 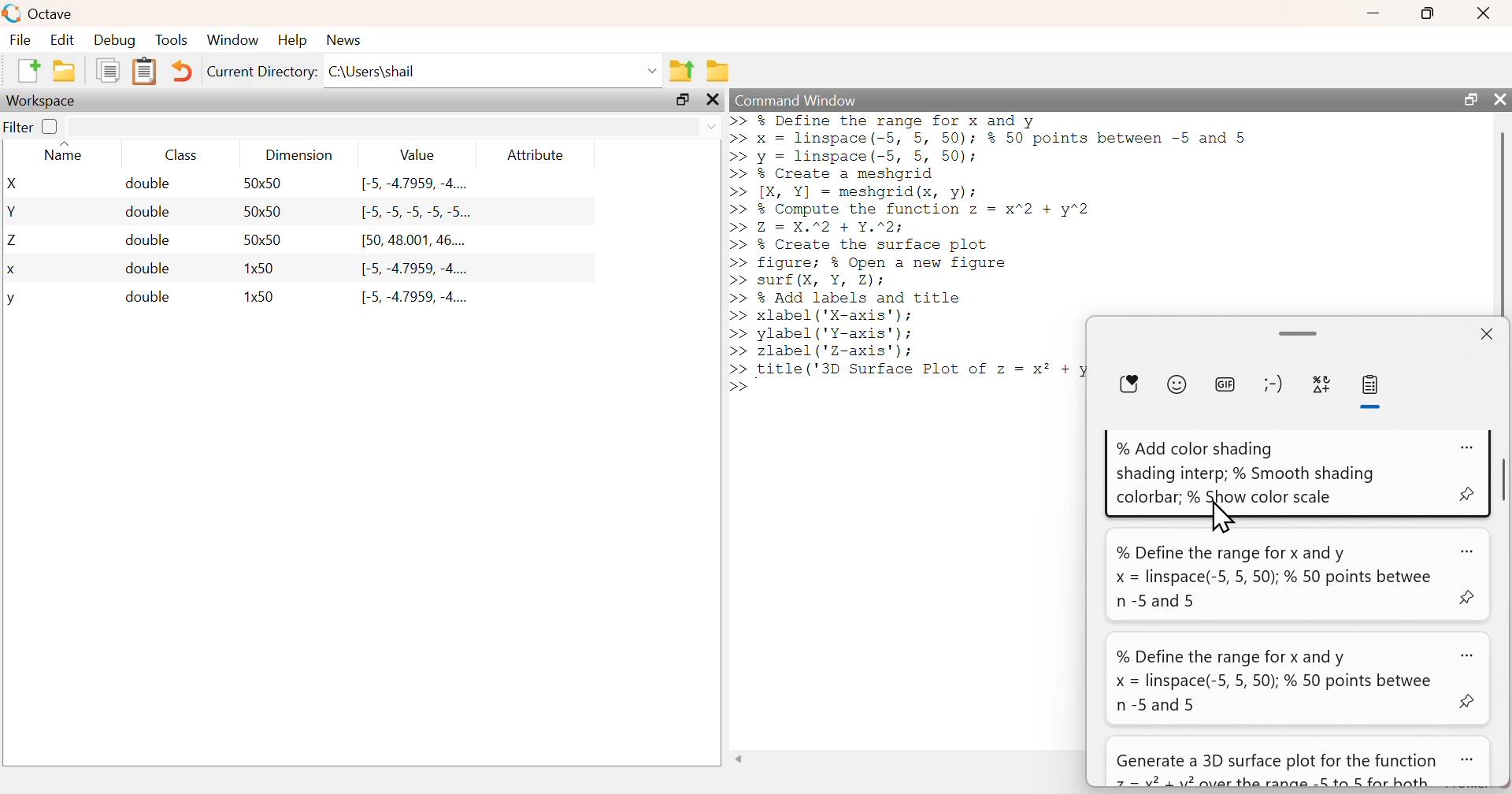 I want to click on GIF, so click(x=1224, y=384).